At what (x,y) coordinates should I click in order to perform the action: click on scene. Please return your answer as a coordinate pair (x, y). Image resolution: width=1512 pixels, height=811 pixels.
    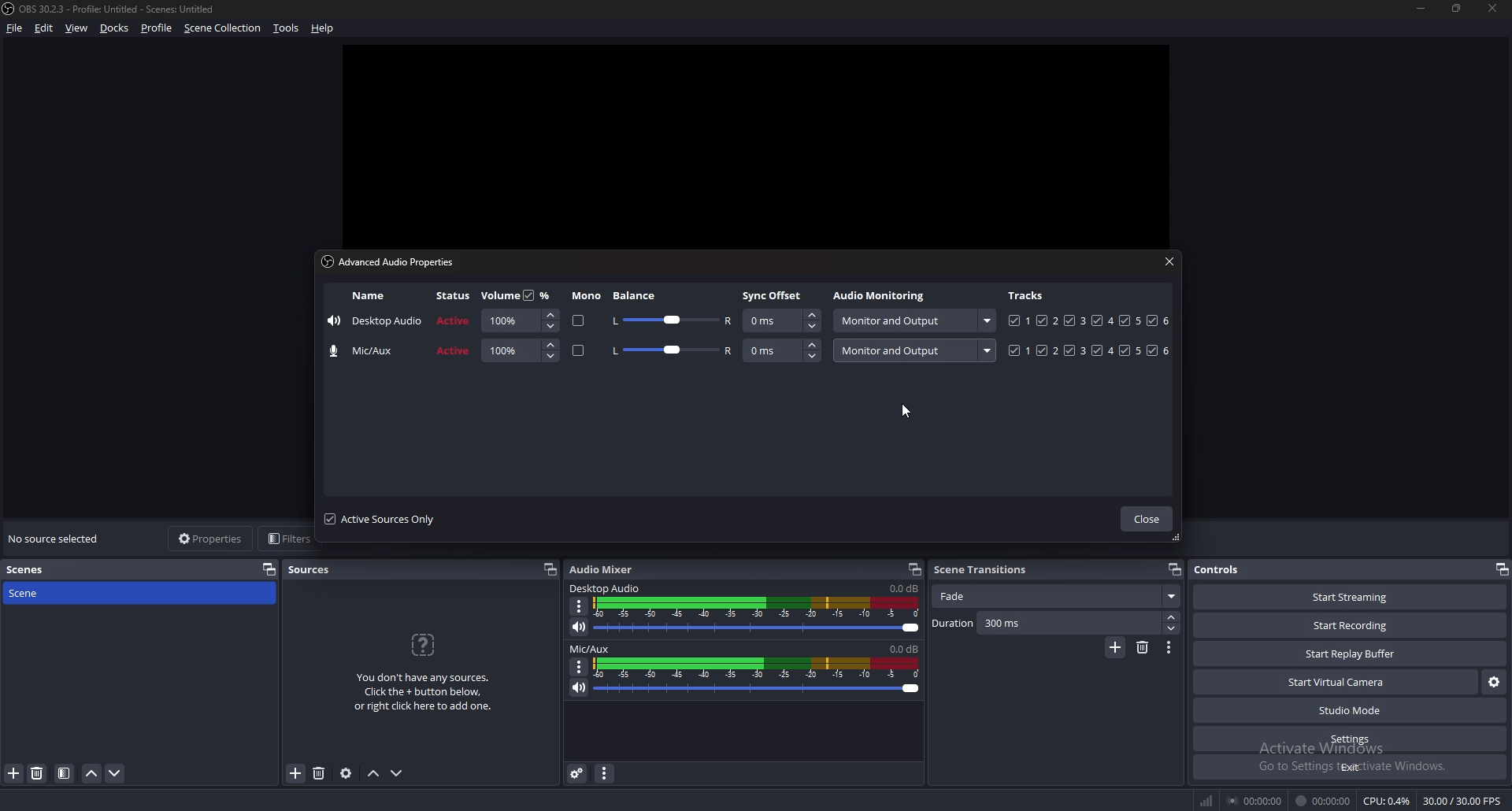
    Looking at the image, I should click on (40, 593).